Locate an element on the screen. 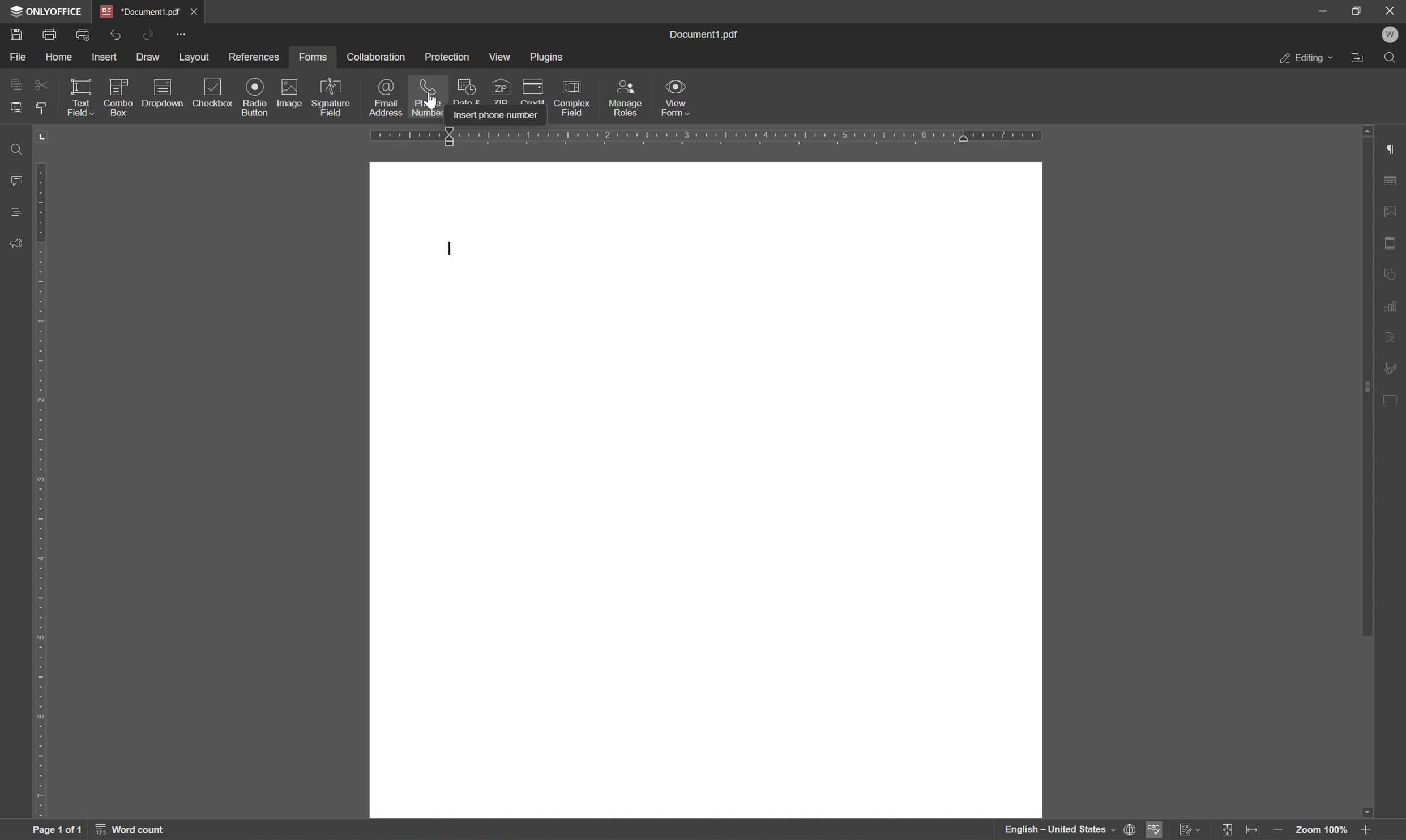  find is located at coordinates (1394, 59).